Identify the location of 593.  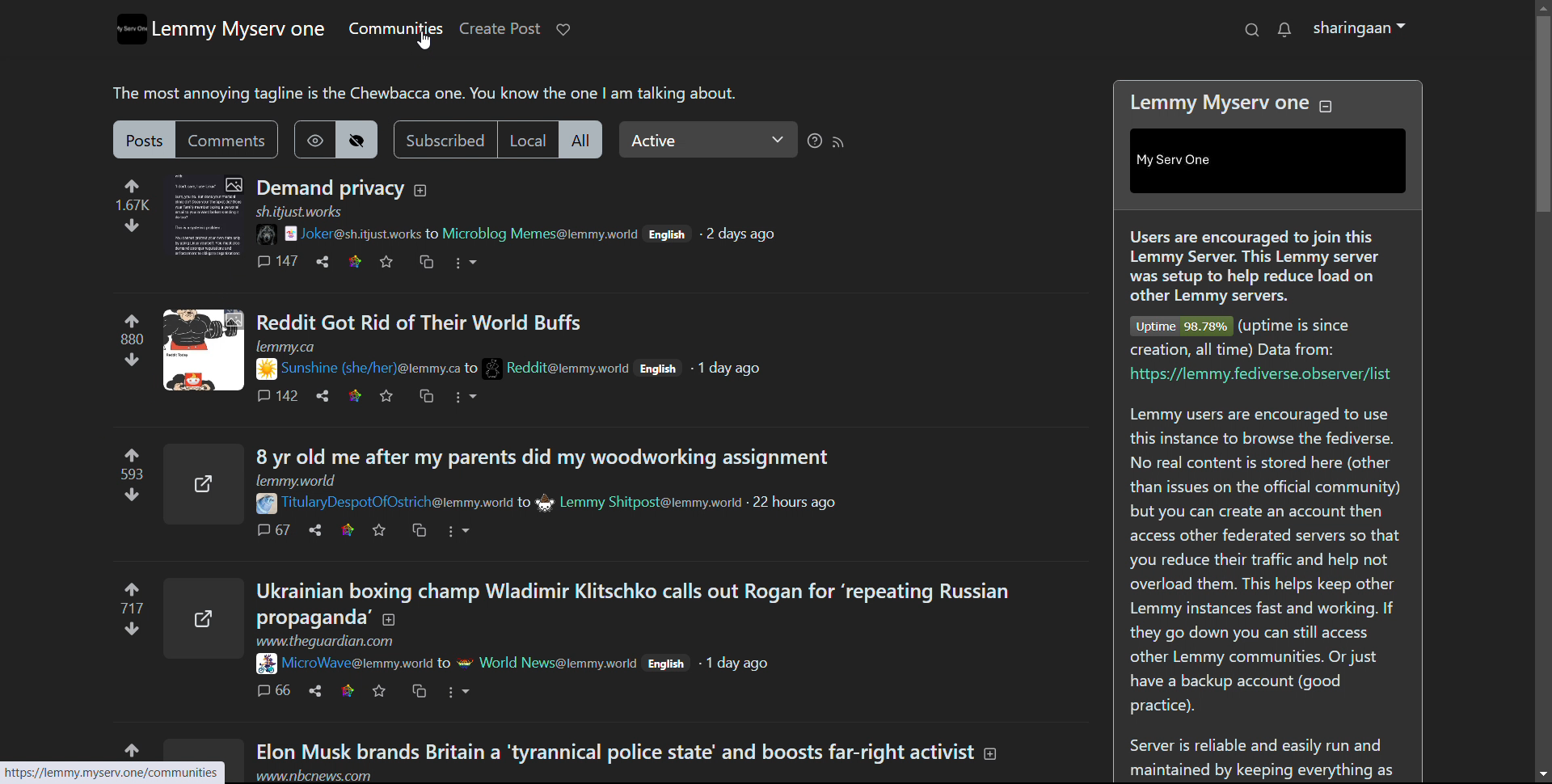
(130, 474).